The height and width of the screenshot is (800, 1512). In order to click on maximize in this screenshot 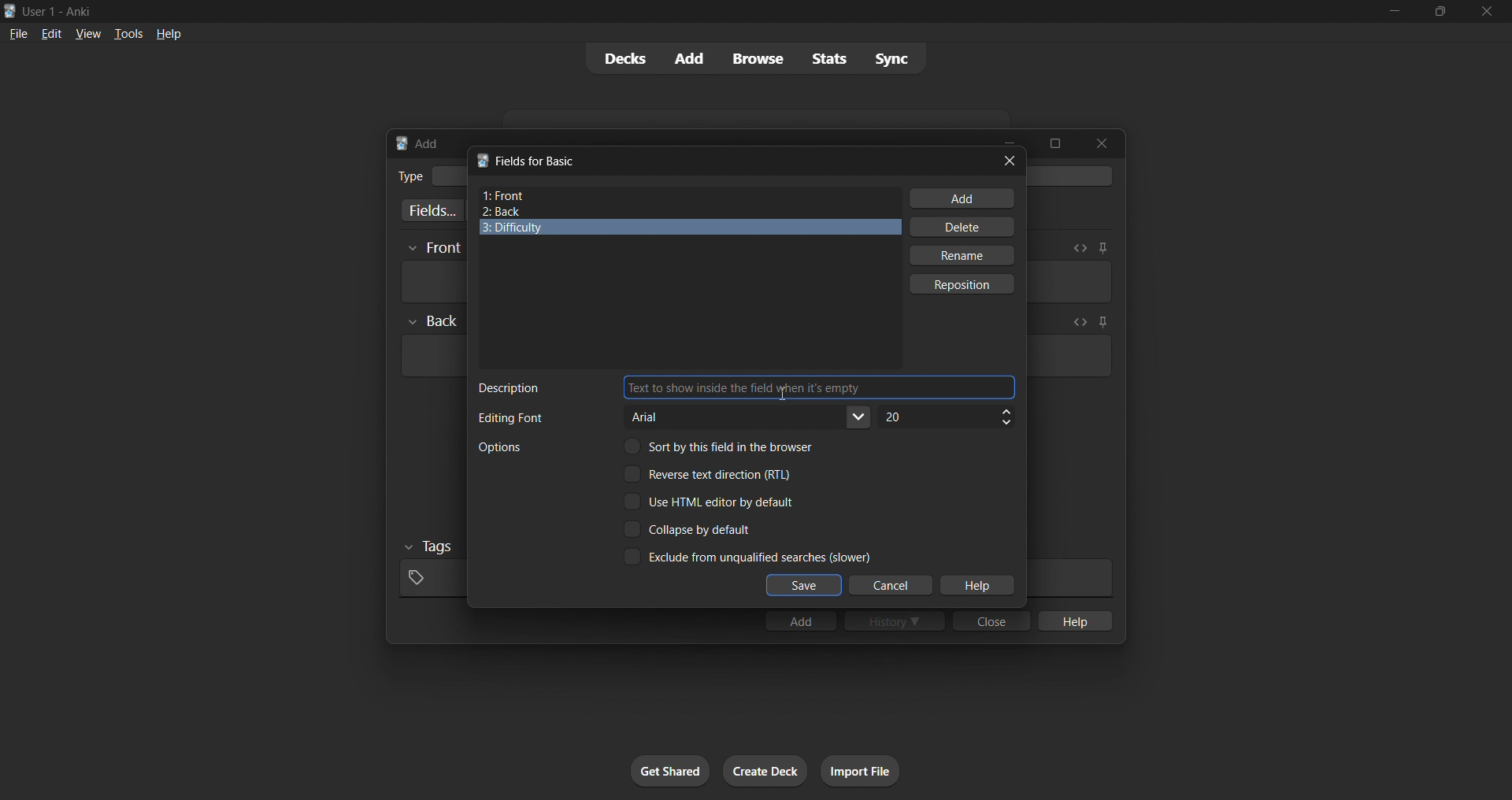, I will do `click(1054, 143)`.